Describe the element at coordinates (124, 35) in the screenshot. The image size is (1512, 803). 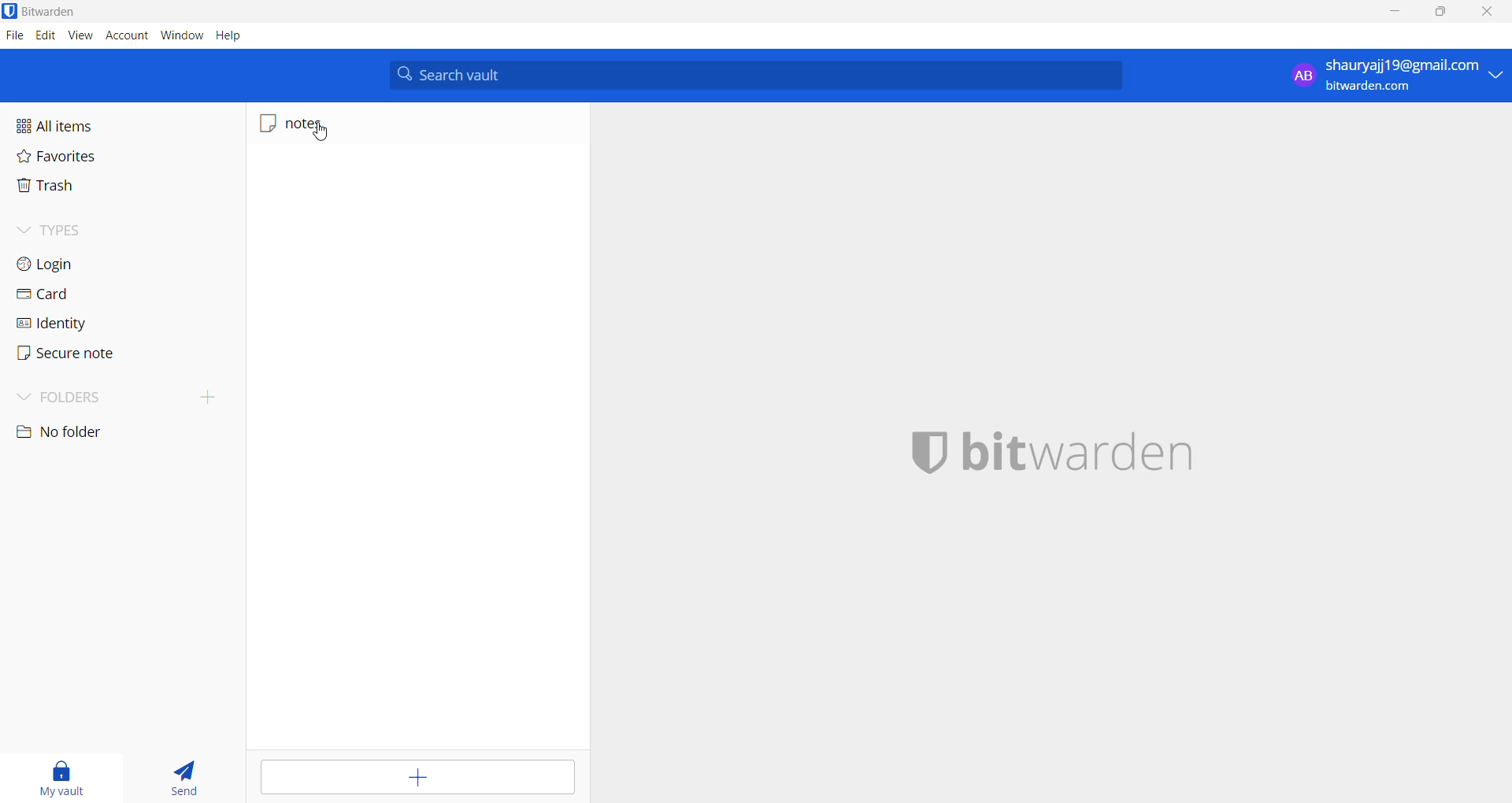
I see `account` at that location.